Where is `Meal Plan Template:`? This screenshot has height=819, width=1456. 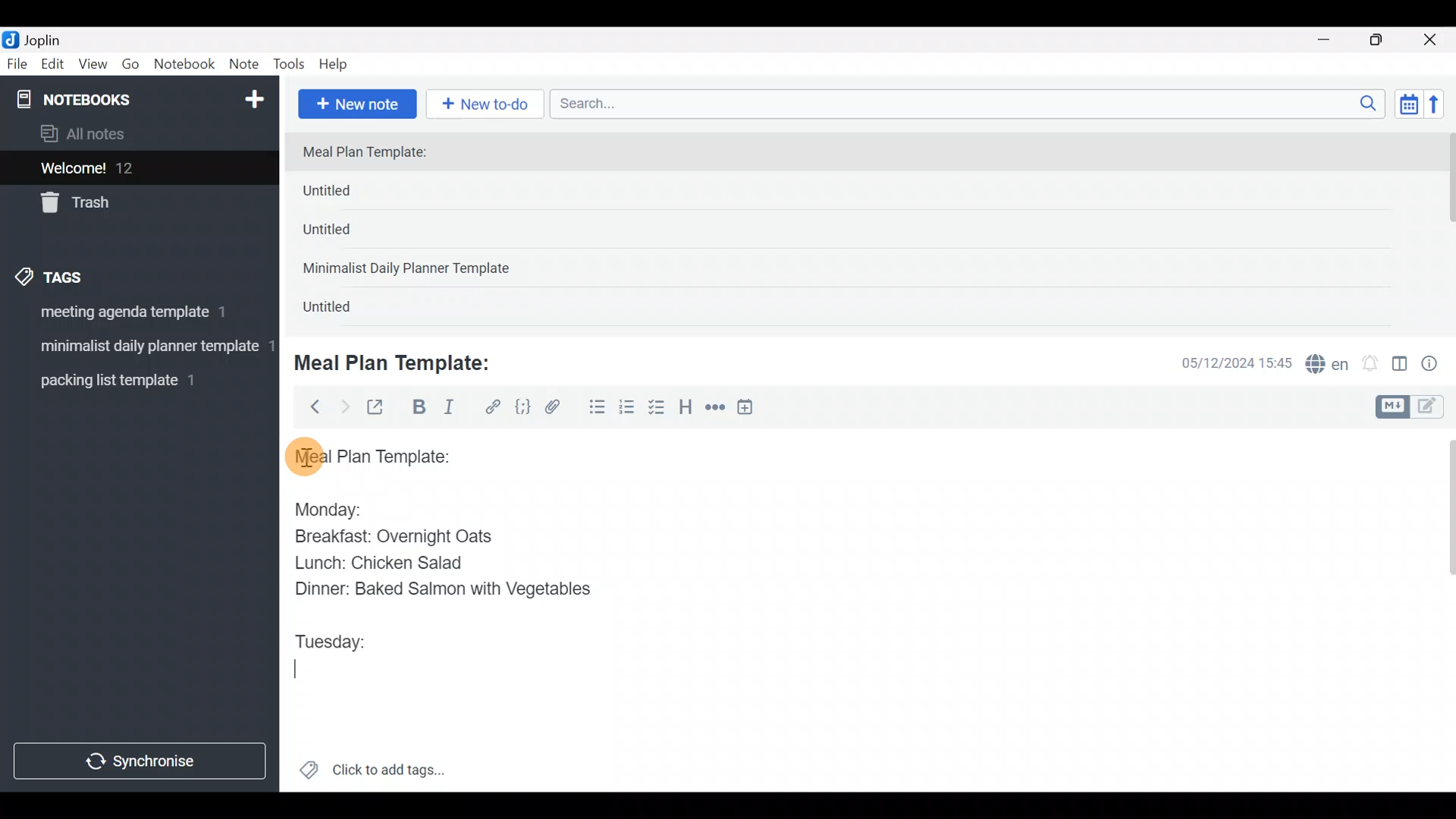 Meal Plan Template: is located at coordinates (402, 361).